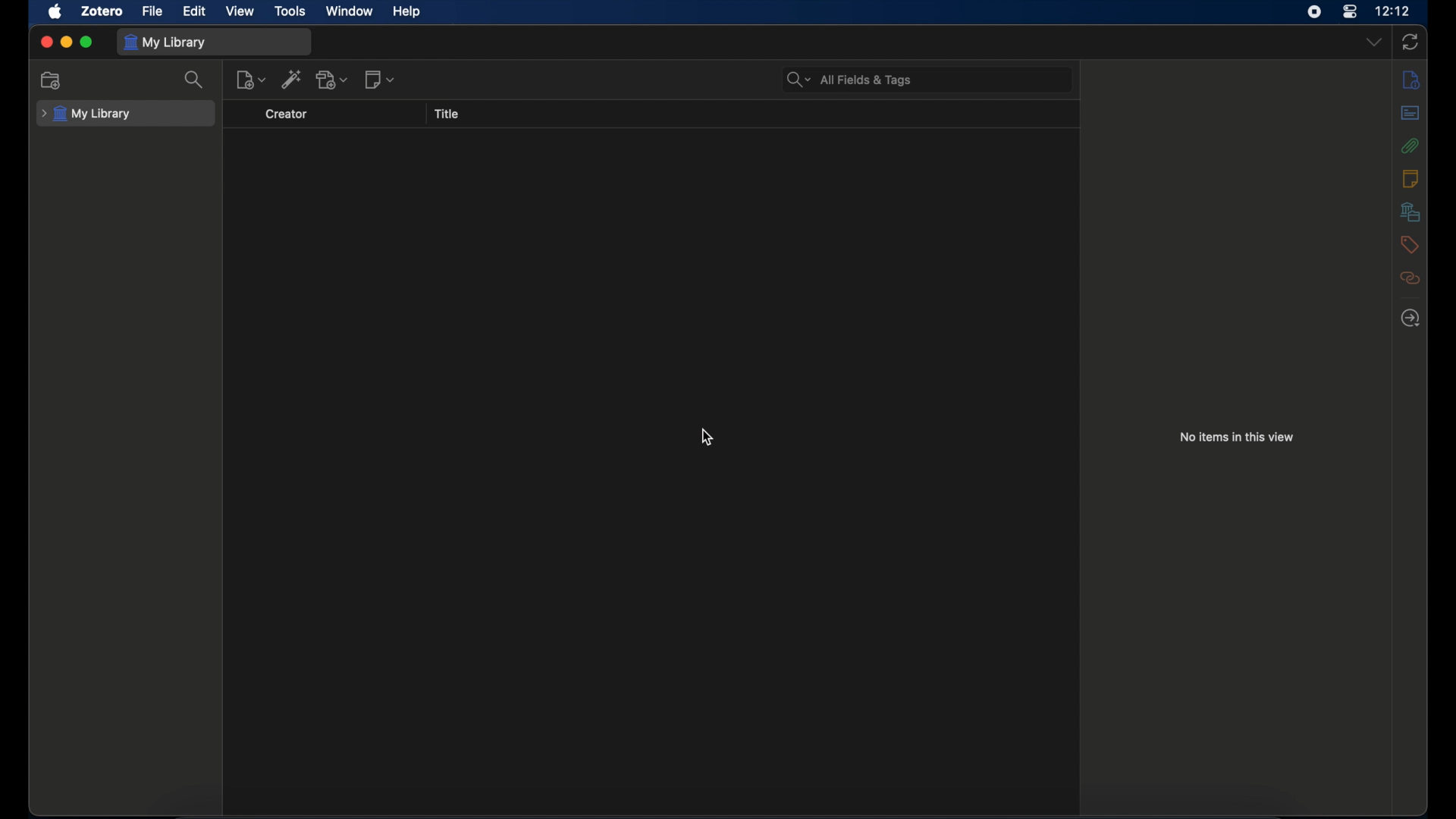 The image size is (1456, 819). I want to click on locate, so click(1411, 318).